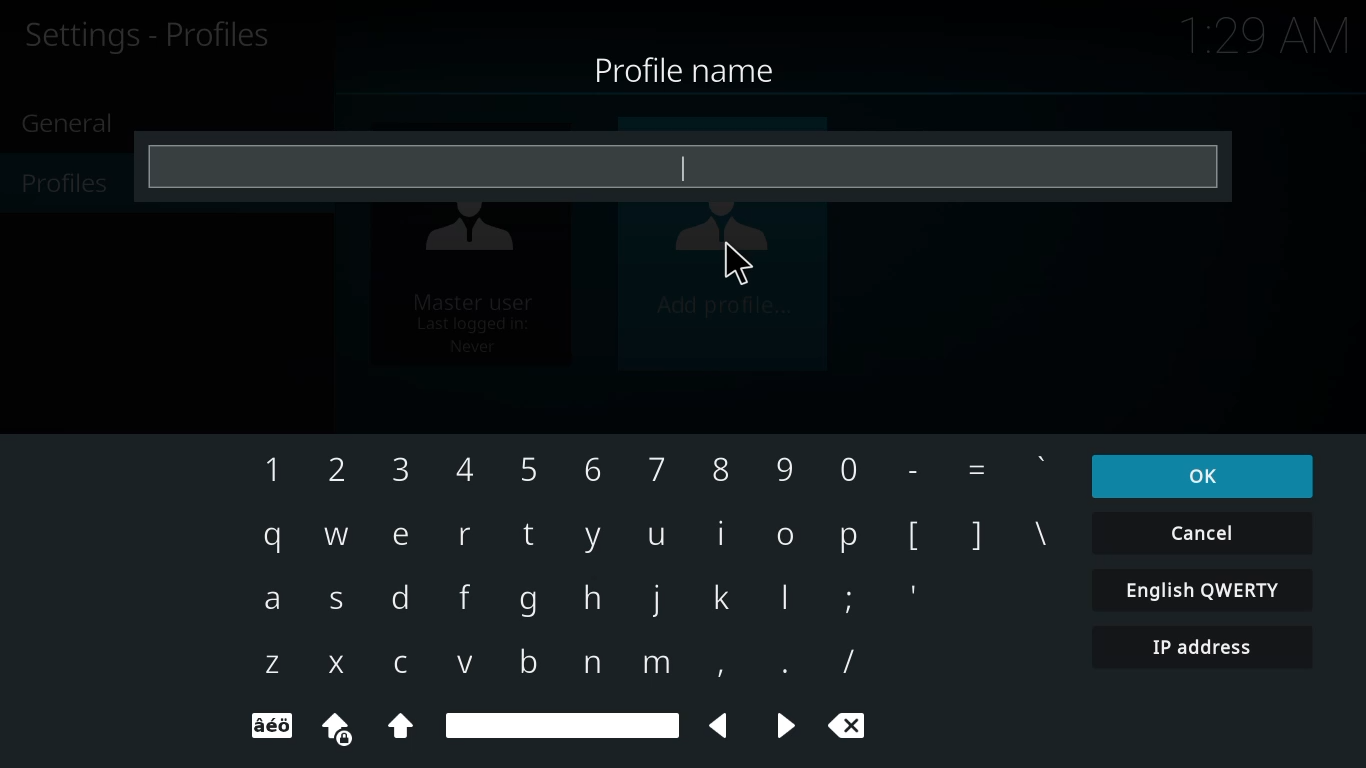 The height and width of the screenshot is (768, 1366). What do you see at coordinates (332, 532) in the screenshot?
I see `w` at bounding box center [332, 532].